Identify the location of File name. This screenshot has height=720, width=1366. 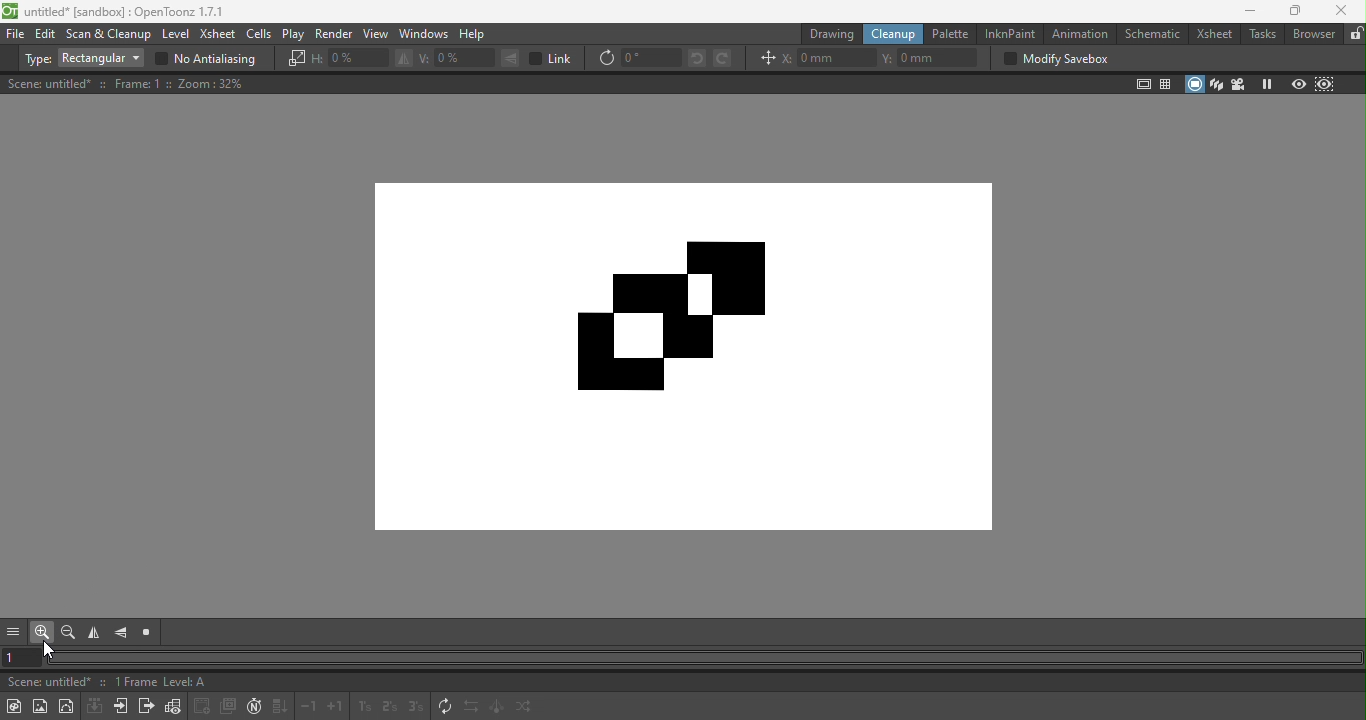
(120, 12).